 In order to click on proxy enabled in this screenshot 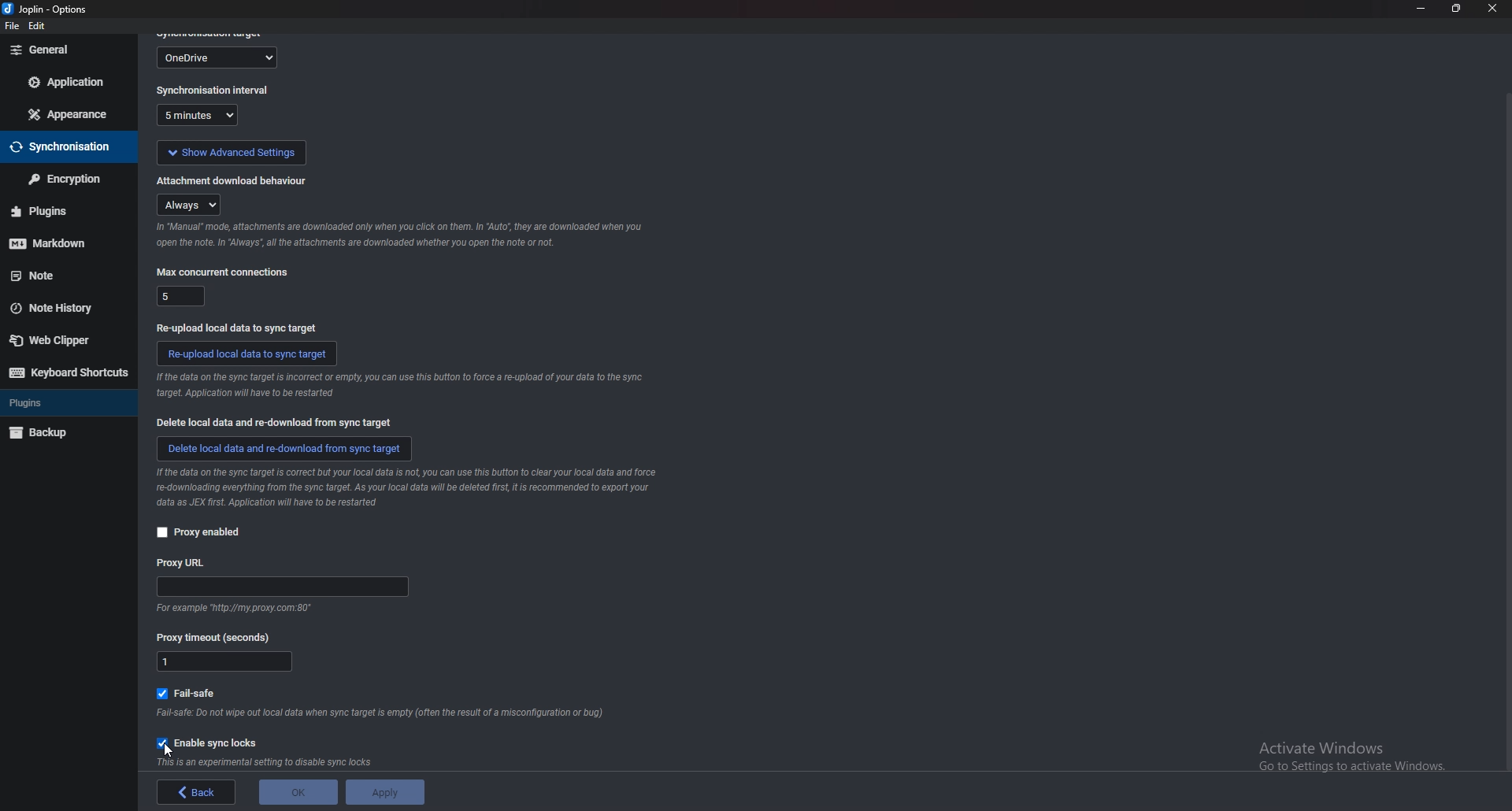, I will do `click(198, 532)`.